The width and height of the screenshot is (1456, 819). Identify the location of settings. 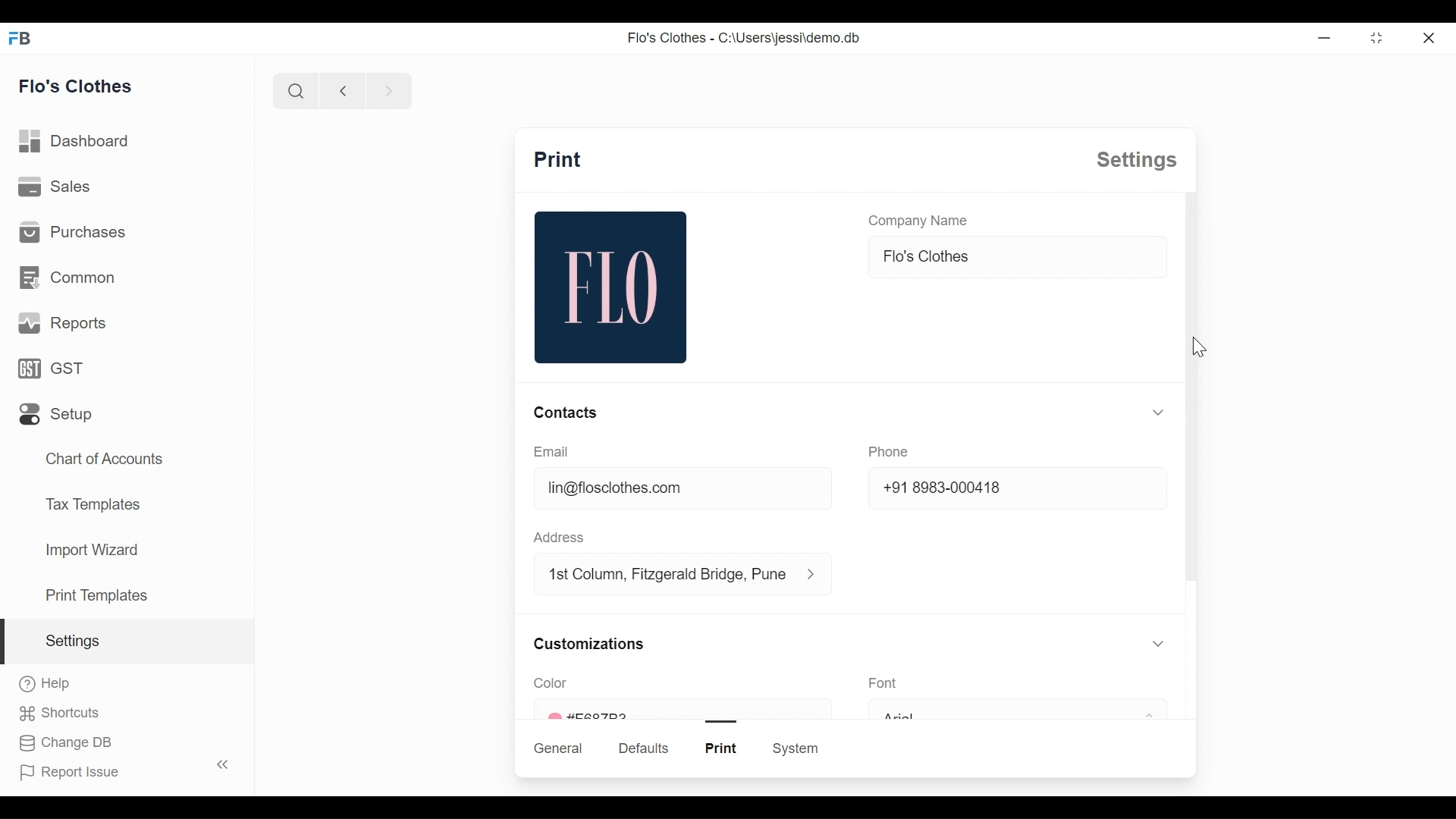
(1137, 160).